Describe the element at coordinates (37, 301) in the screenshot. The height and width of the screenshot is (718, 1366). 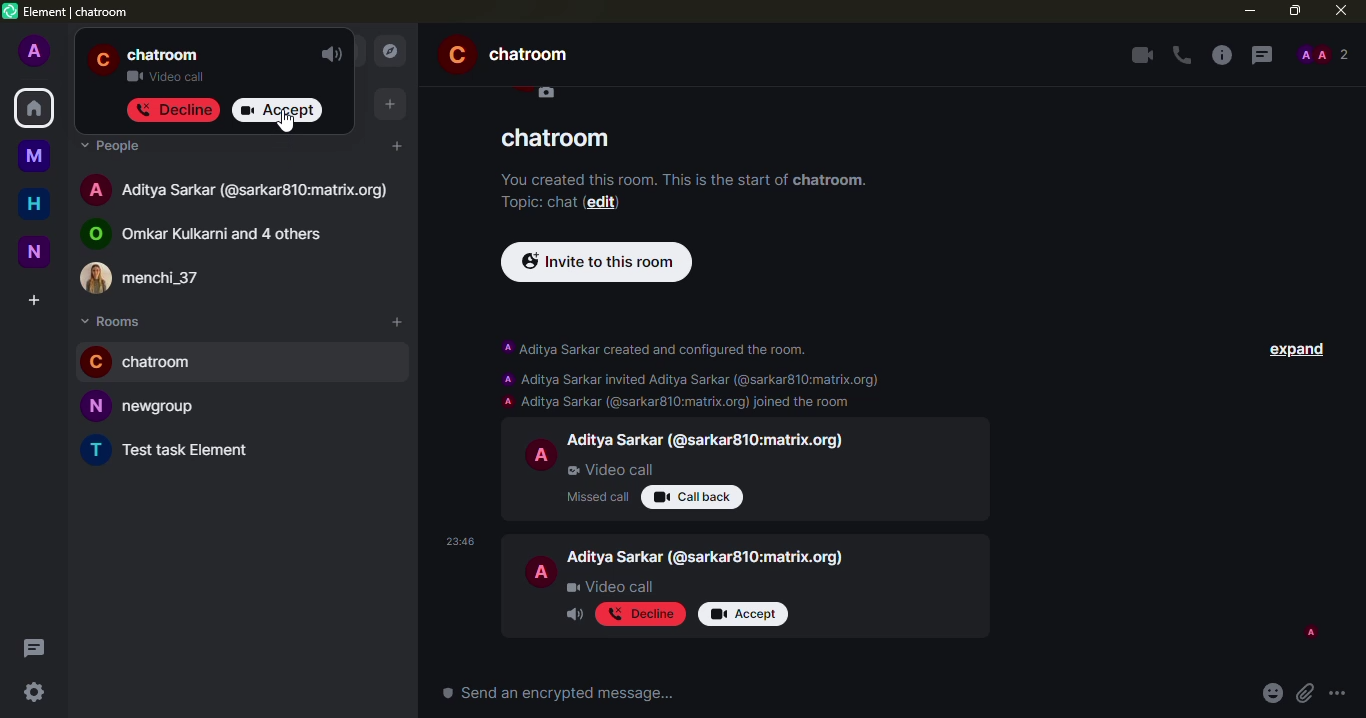
I see `create space` at that location.